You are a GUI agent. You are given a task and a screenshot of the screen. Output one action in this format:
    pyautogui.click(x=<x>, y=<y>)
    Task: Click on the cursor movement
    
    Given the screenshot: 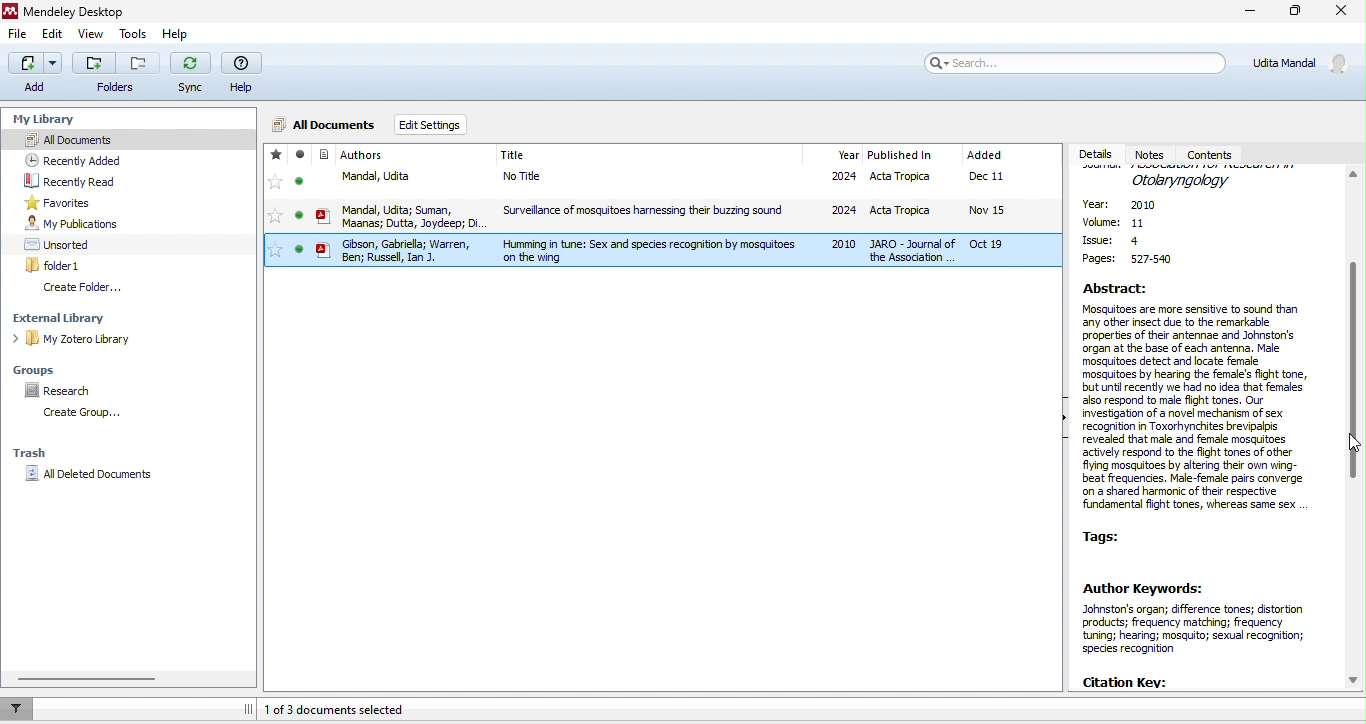 What is the action you would take?
    pyautogui.click(x=1351, y=443)
    